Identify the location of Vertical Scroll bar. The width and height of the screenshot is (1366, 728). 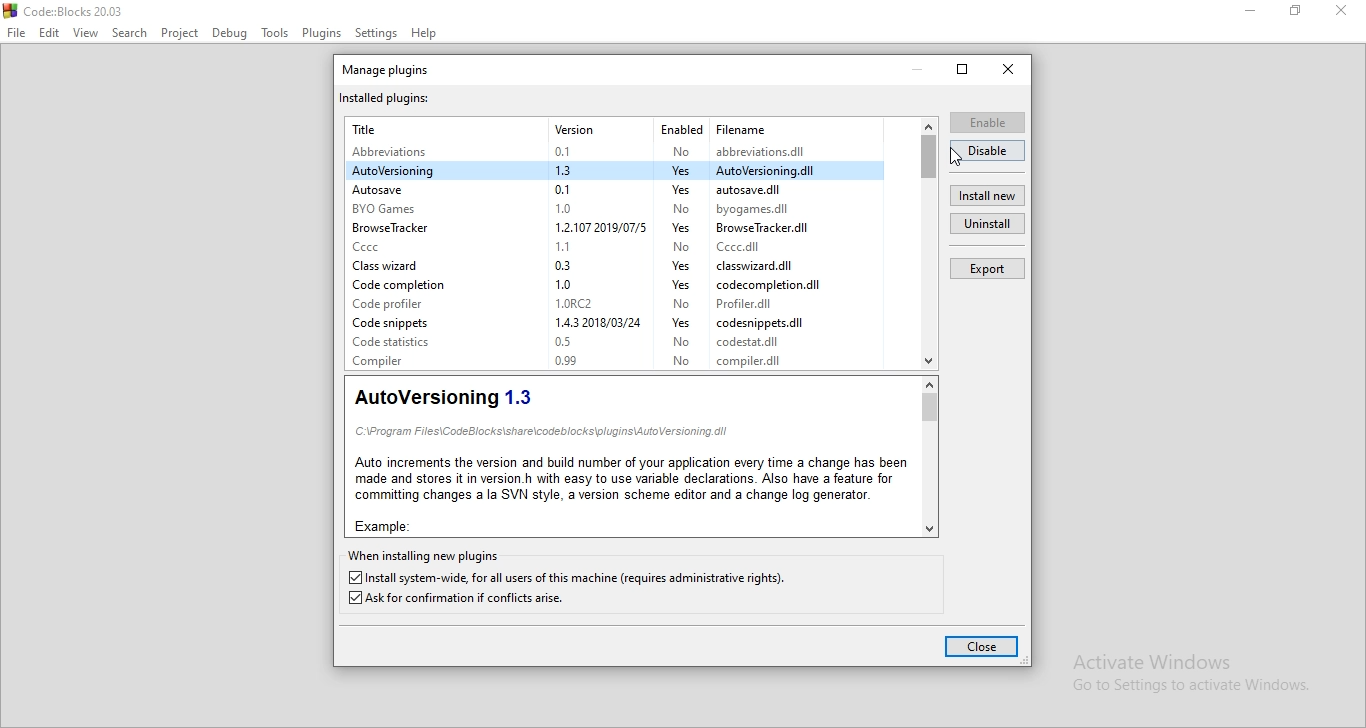
(928, 157).